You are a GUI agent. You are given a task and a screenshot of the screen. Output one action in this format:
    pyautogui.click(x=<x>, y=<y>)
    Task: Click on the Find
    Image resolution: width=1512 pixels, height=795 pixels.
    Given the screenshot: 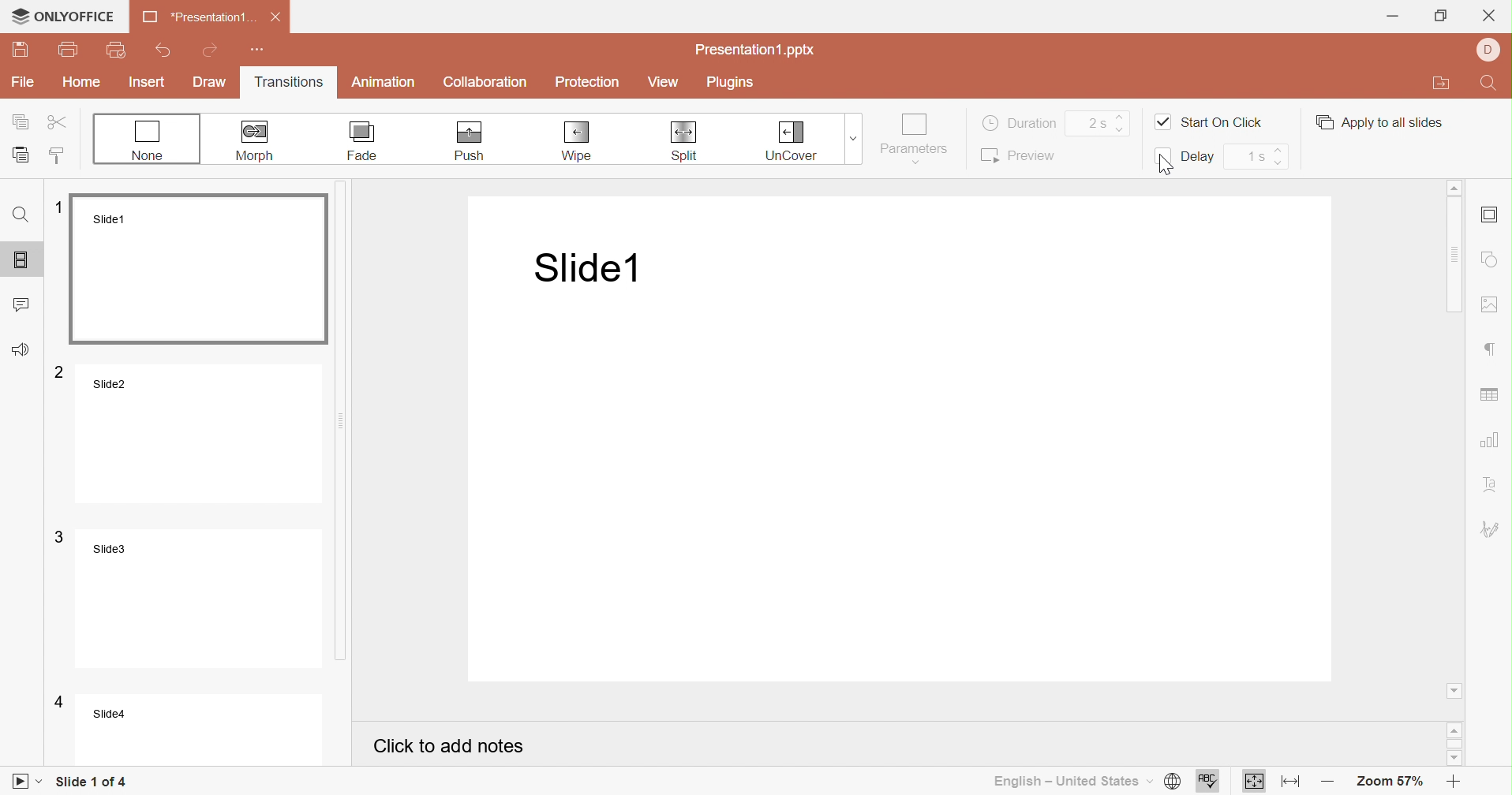 What is the action you would take?
    pyautogui.click(x=22, y=220)
    